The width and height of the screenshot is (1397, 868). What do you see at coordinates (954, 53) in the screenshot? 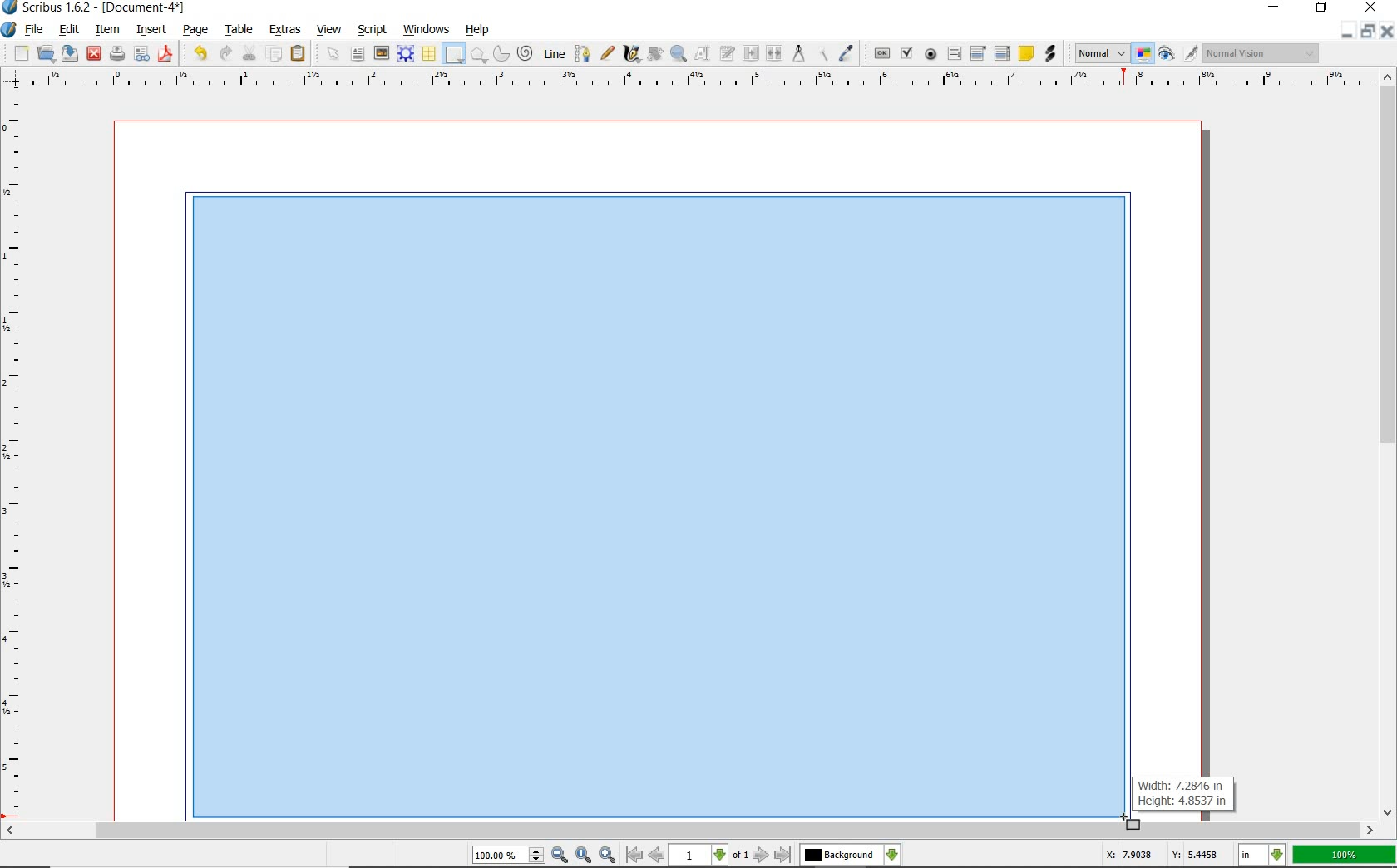
I see `pdf text field` at bounding box center [954, 53].